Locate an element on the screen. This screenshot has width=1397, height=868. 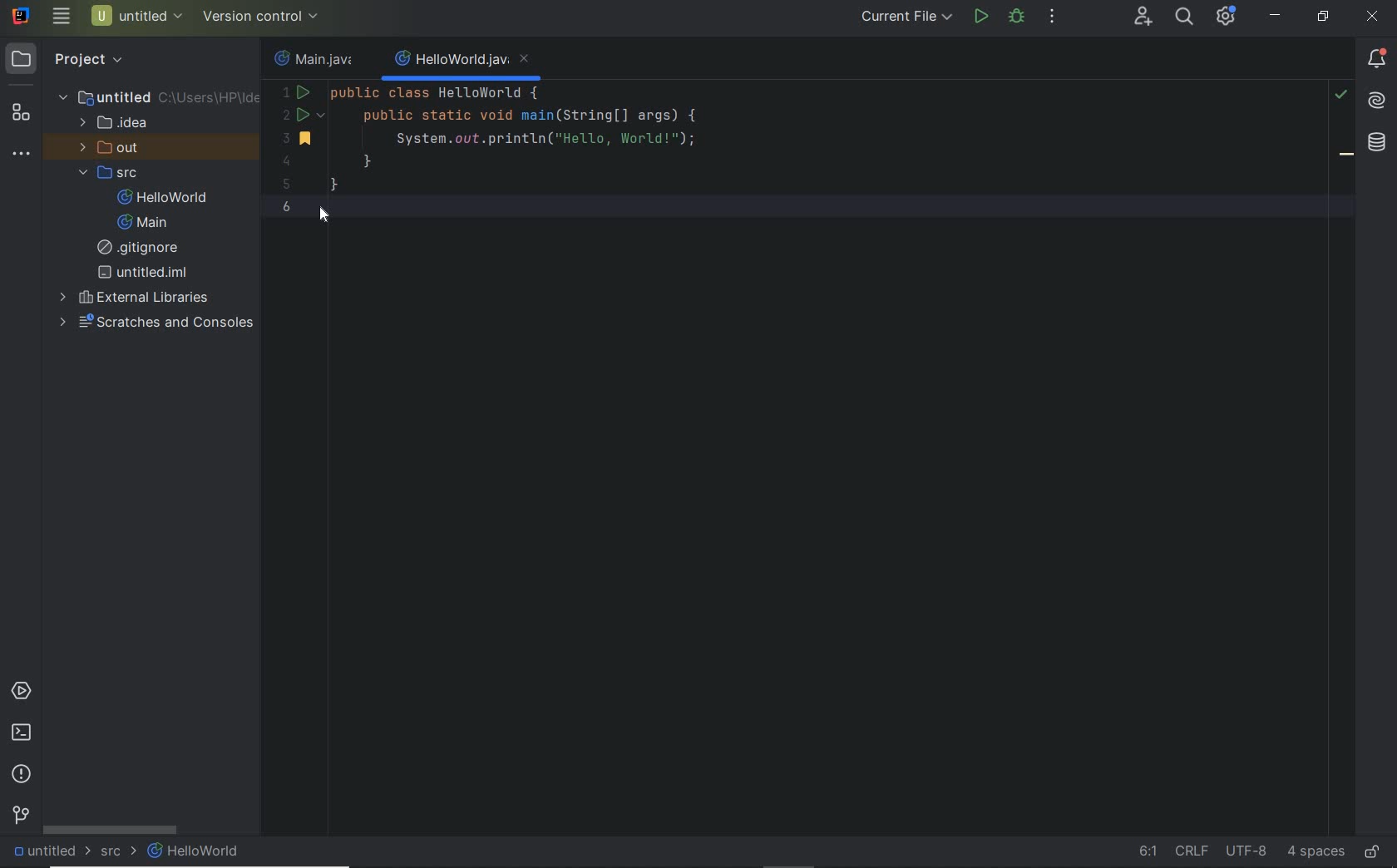
system name is located at coordinates (22, 15).